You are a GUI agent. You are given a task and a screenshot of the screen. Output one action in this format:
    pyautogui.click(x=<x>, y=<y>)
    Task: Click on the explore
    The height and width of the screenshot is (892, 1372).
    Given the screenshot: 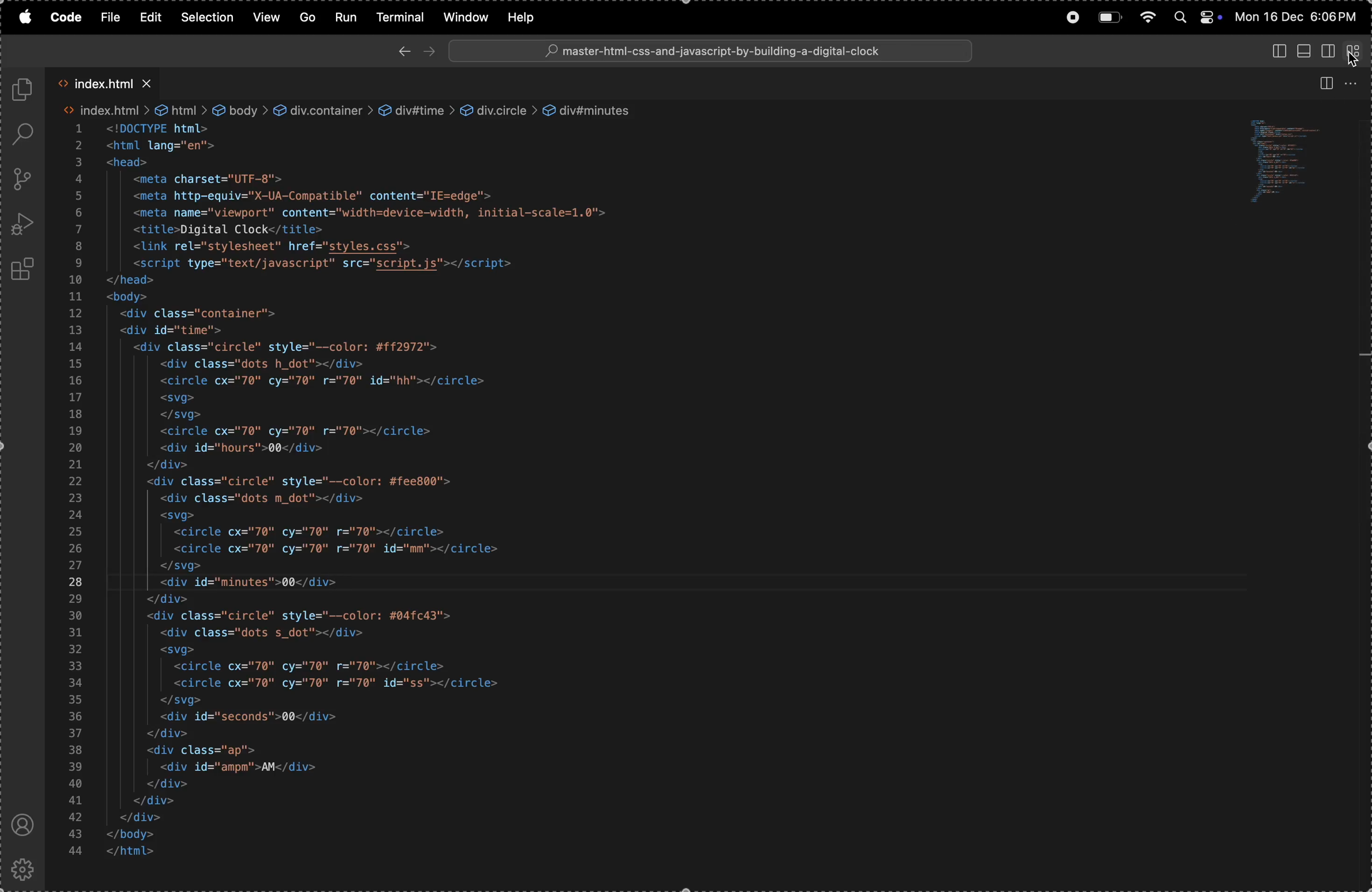 What is the action you would take?
    pyautogui.click(x=26, y=92)
    